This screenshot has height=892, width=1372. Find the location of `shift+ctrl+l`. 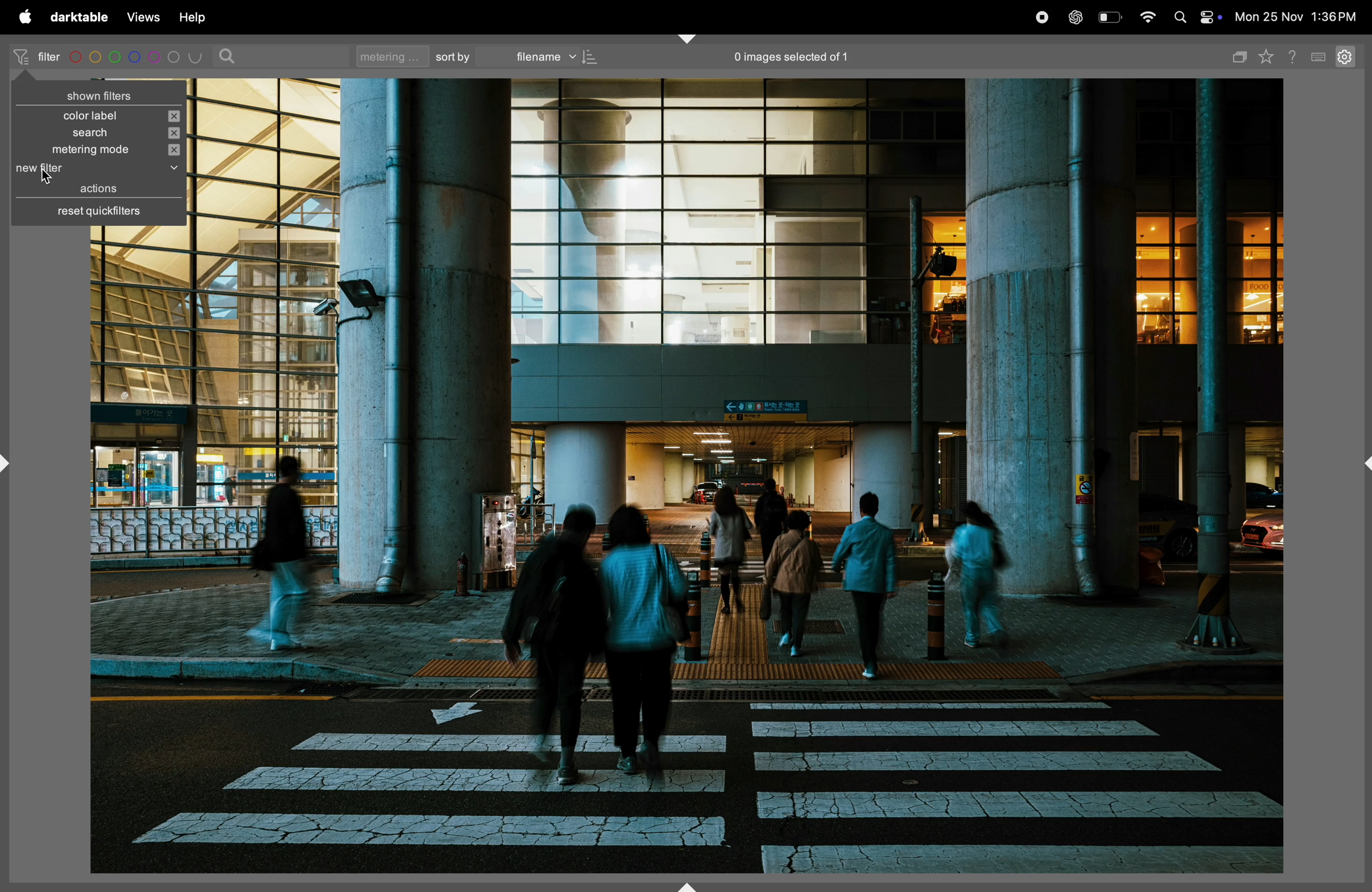

shift+ctrl+l is located at coordinates (11, 464).